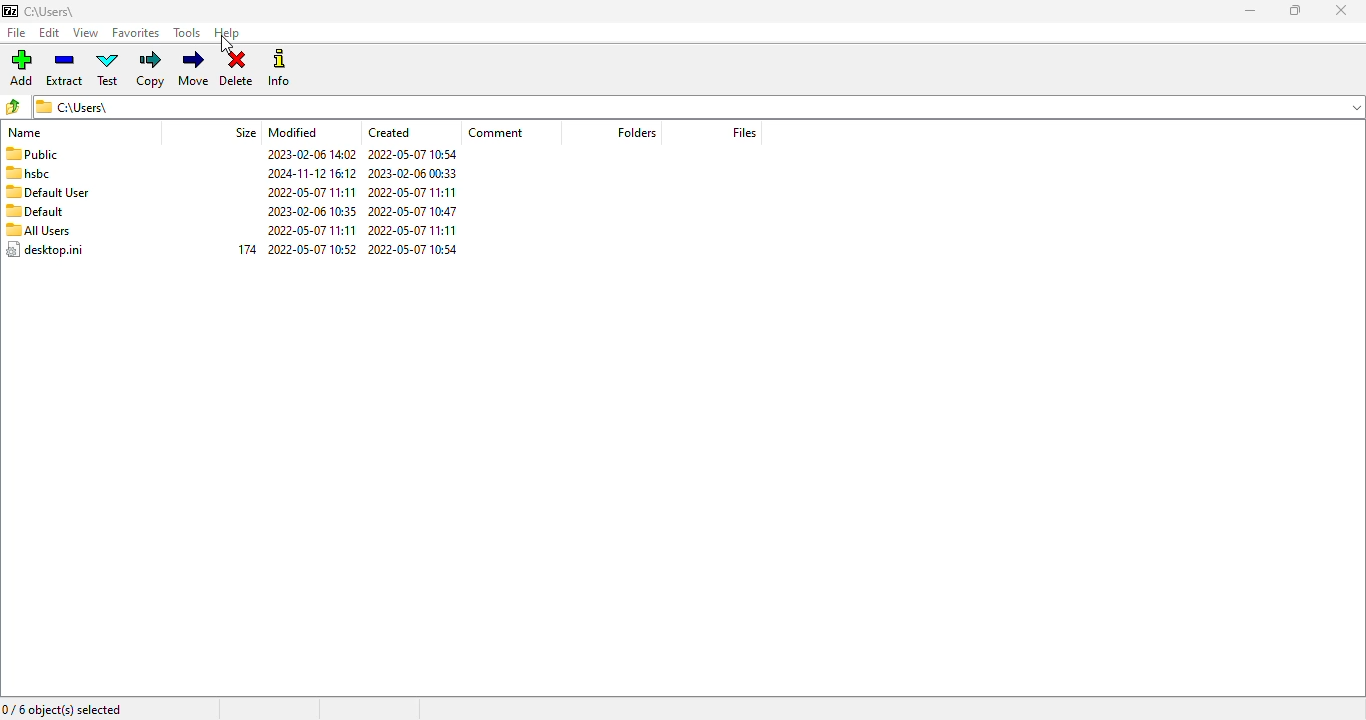  What do you see at coordinates (1357, 106) in the screenshot?
I see `dropdown` at bounding box center [1357, 106].